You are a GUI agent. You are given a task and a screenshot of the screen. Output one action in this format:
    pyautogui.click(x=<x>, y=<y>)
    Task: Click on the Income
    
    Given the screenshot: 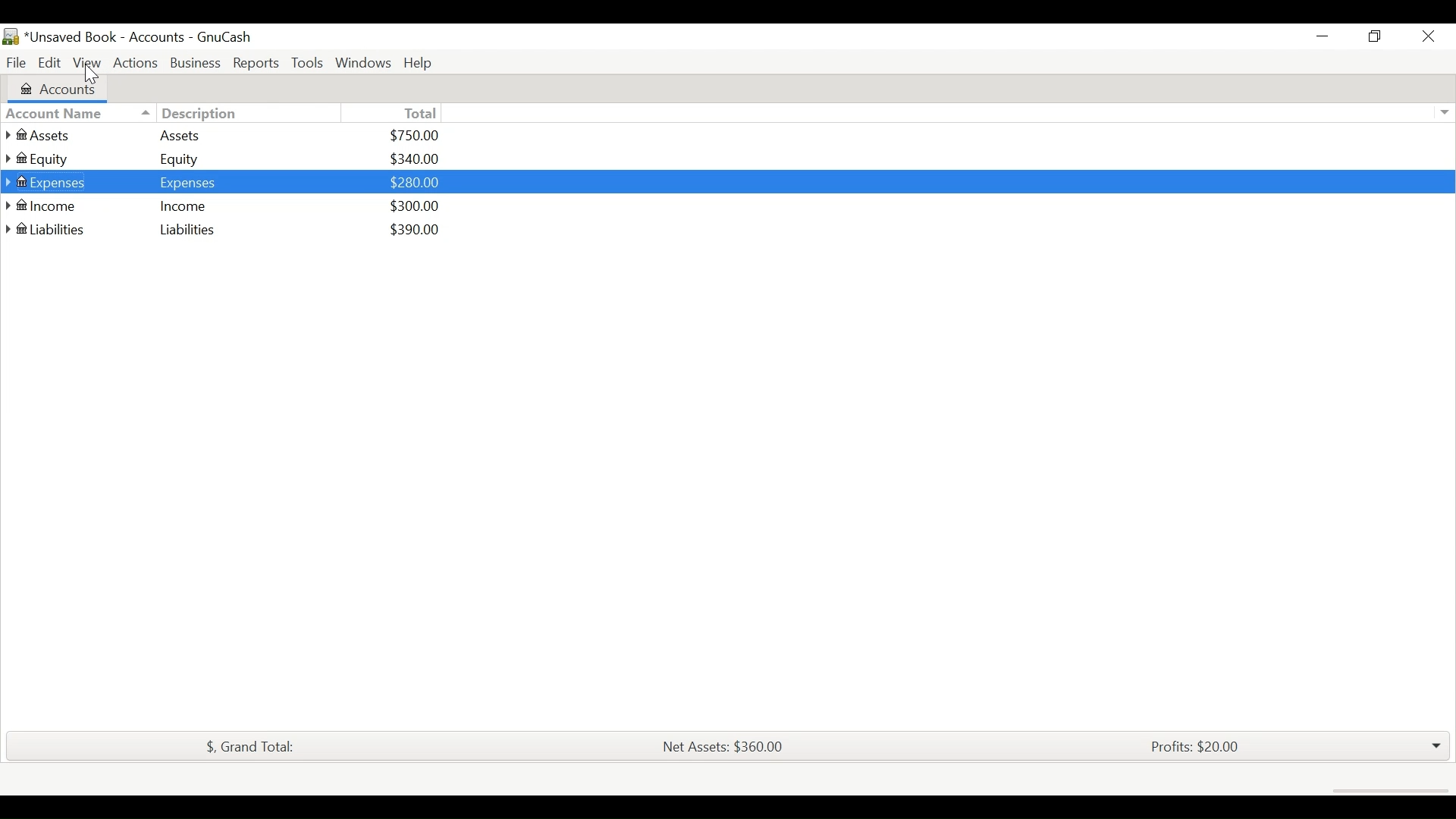 What is the action you would take?
    pyautogui.click(x=55, y=206)
    